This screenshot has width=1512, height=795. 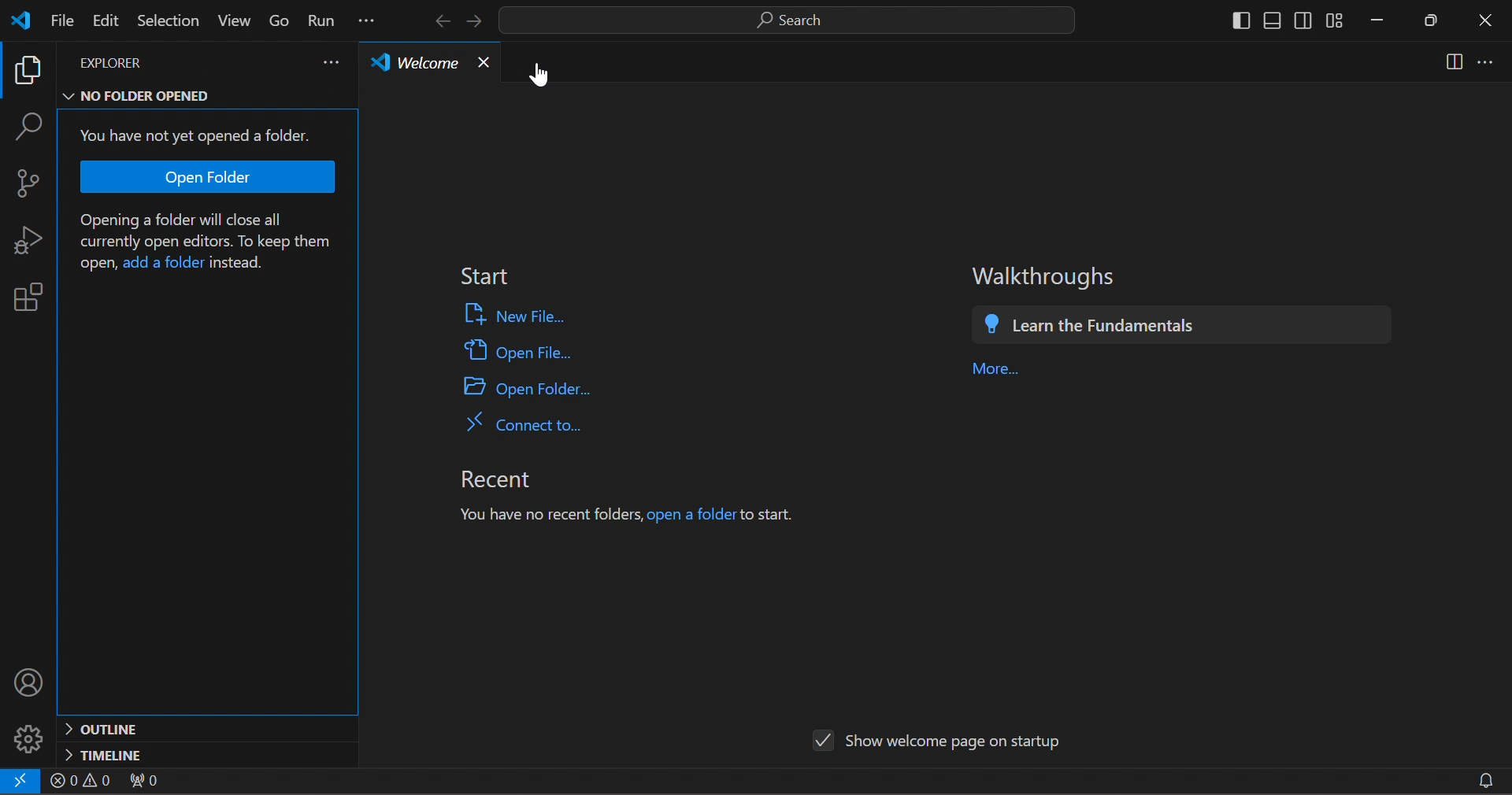 I want to click on recent, so click(x=514, y=477).